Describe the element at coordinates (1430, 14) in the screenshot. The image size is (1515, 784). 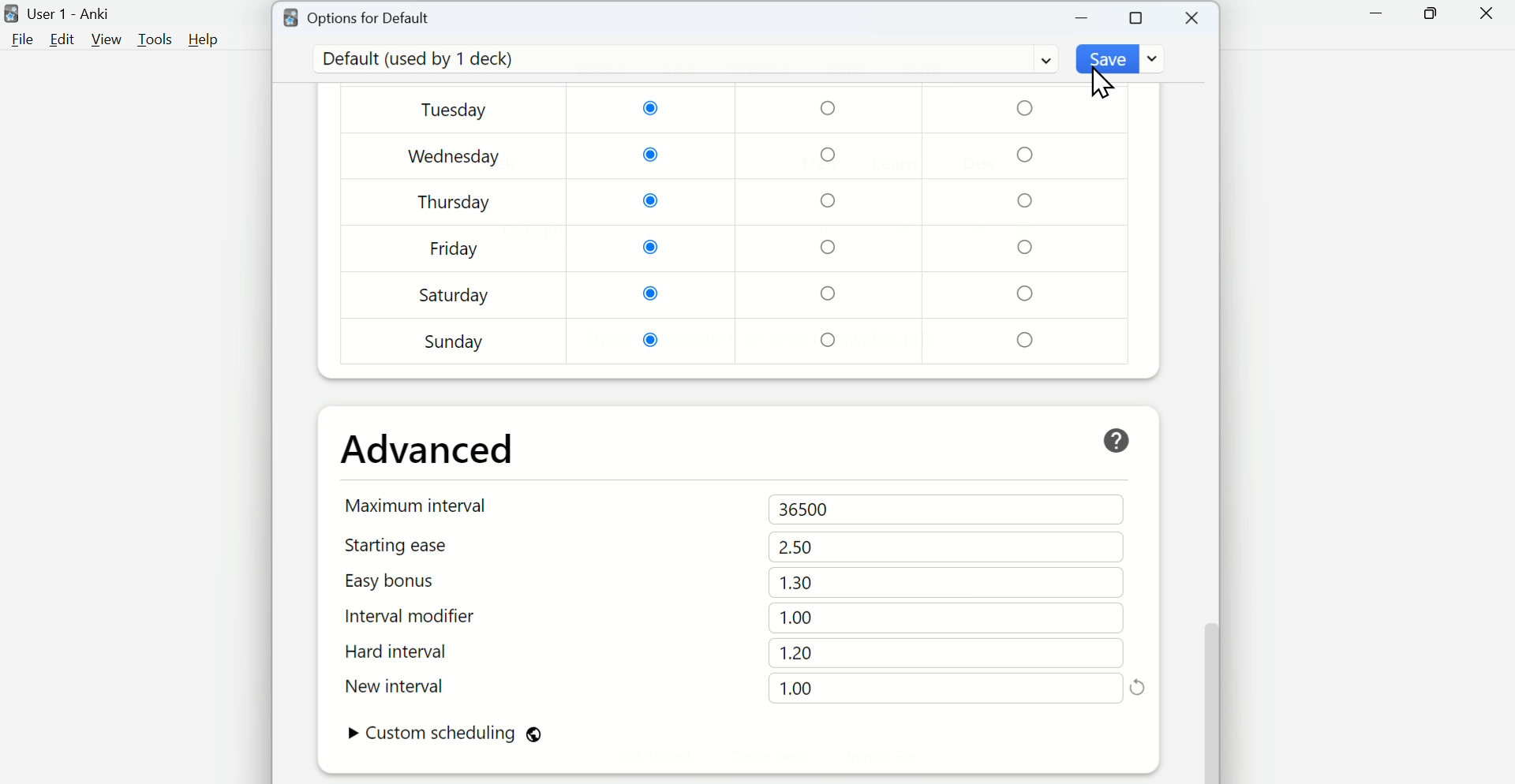
I see `Maximize` at that location.